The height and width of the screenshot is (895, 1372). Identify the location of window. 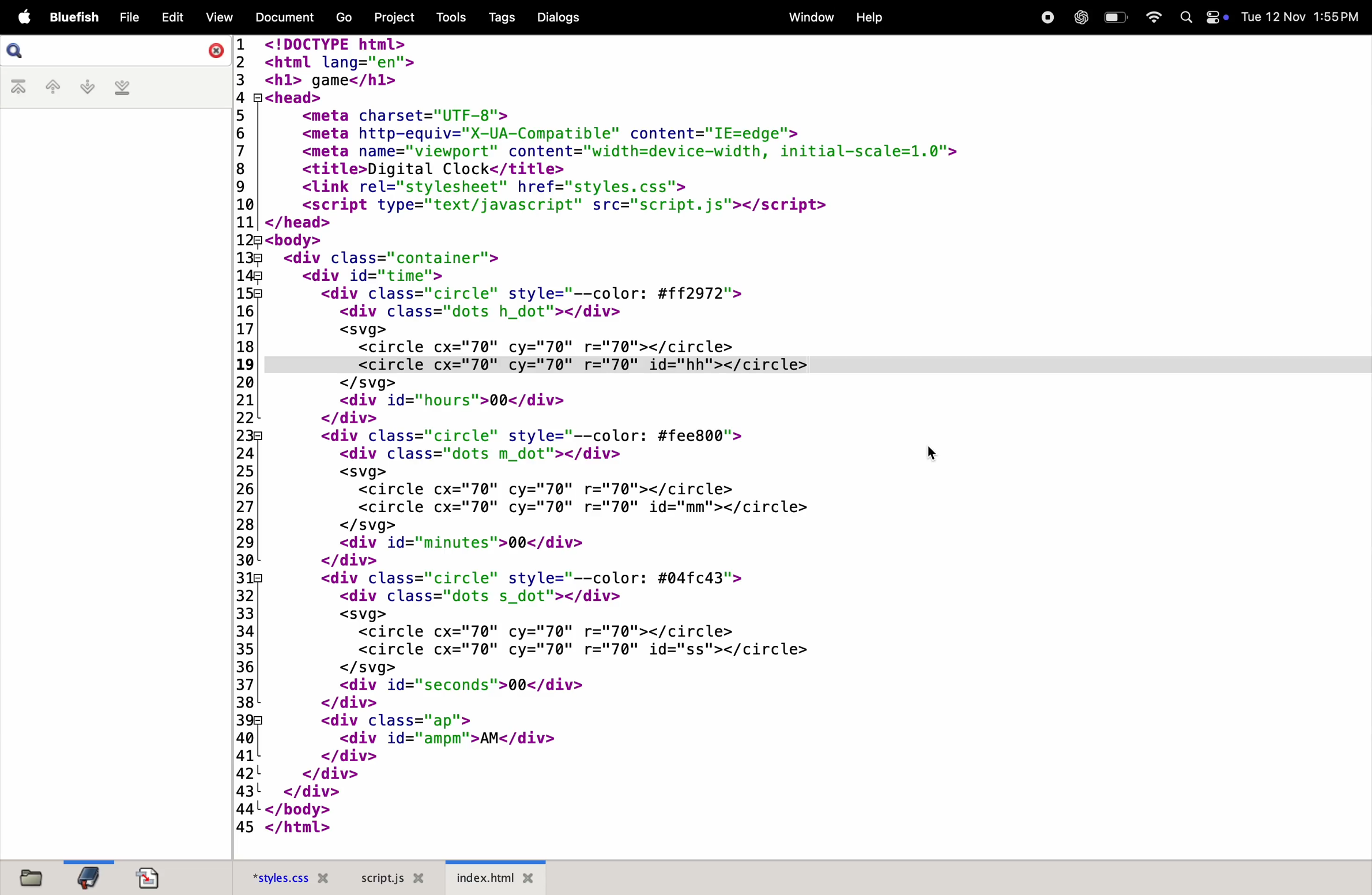
(807, 17).